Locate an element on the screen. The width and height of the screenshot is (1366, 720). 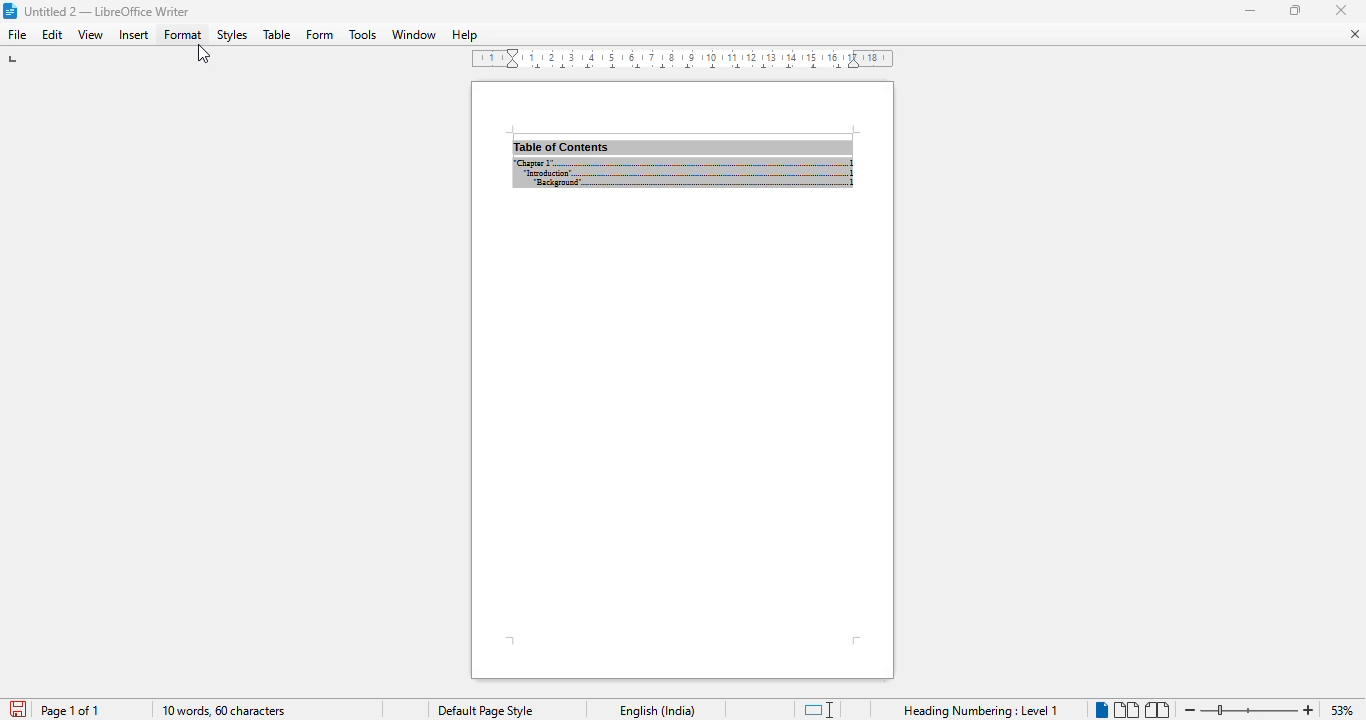
multi-page view is located at coordinates (1126, 709).